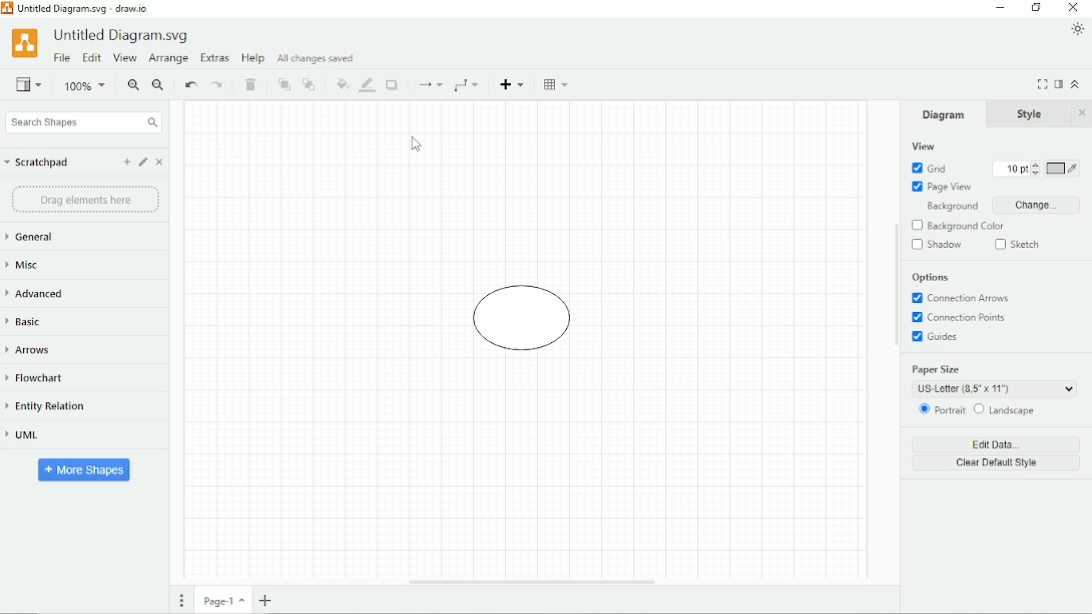 This screenshot has height=614, width=1092. What do you see at coordinates (523, 320) in the screenshot?
I see `Diagram of circle` at bounding box center [523, 320].